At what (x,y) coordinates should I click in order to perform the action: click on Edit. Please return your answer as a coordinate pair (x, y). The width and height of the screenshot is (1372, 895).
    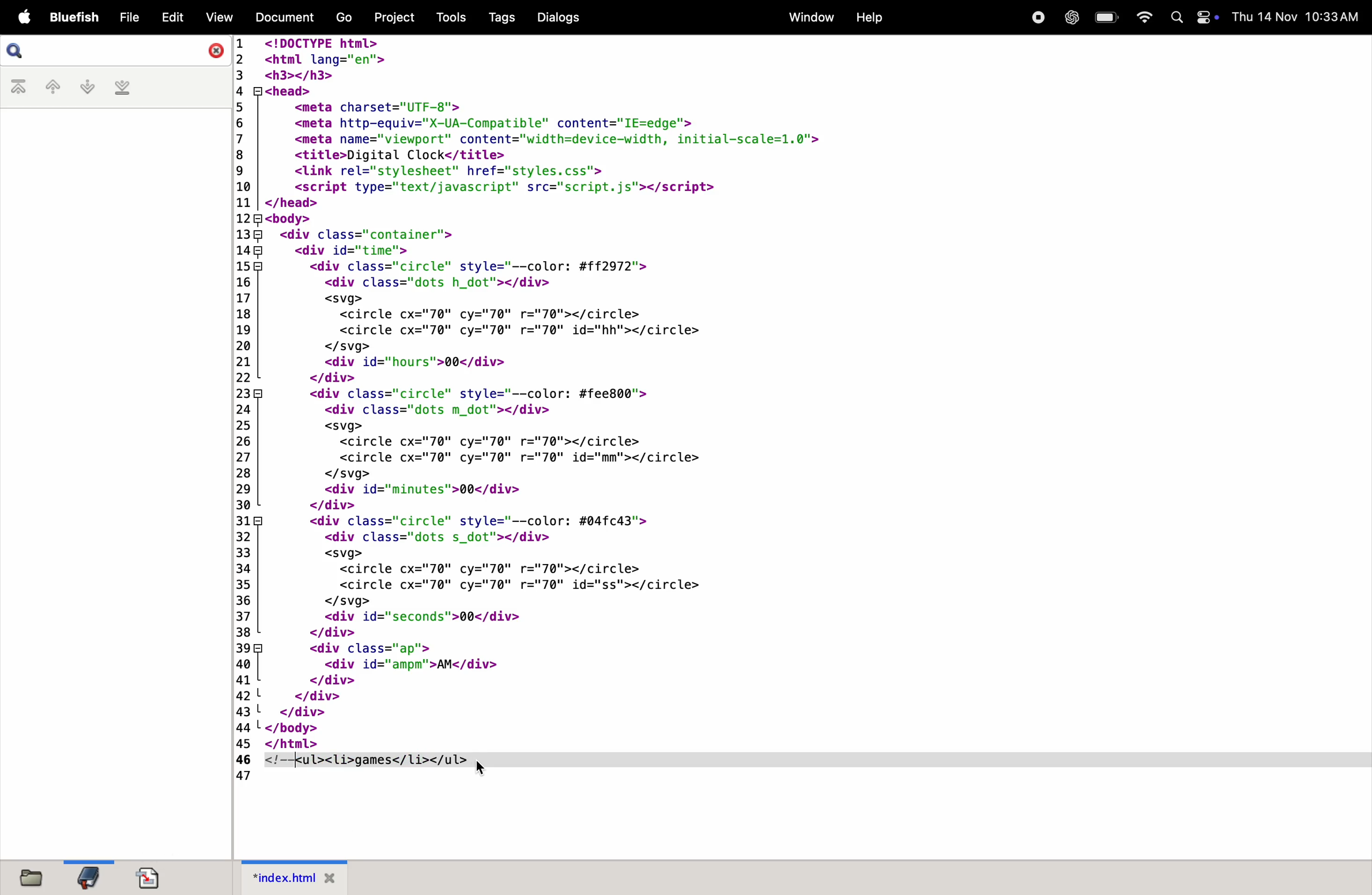
    Looking at the image, I should click on (174, 17).